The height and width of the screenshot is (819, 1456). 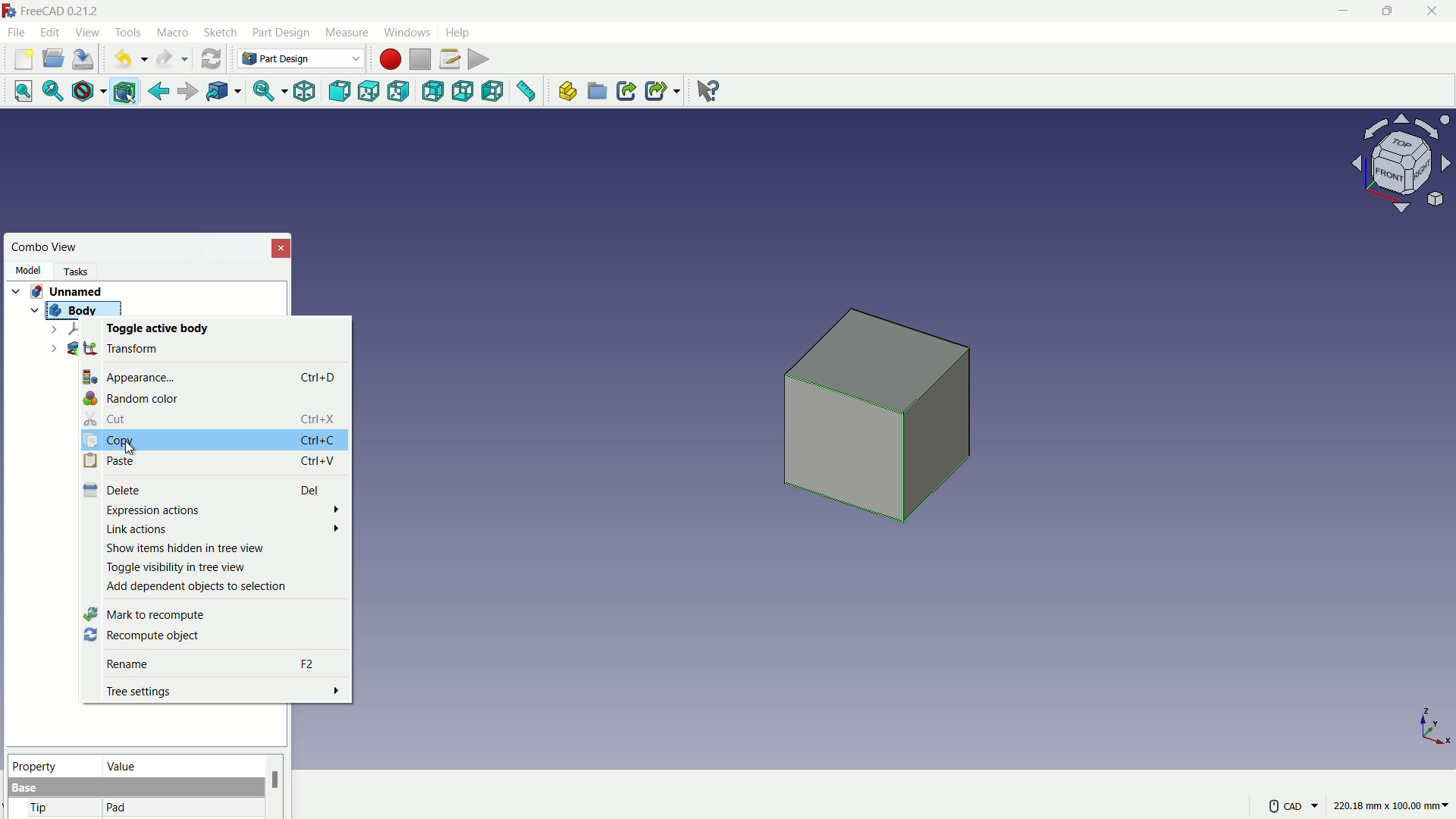 What do you see at coordinates (155, 328) in the screenshot?
I see `Toggle active body` at bounding box center [155, 328].